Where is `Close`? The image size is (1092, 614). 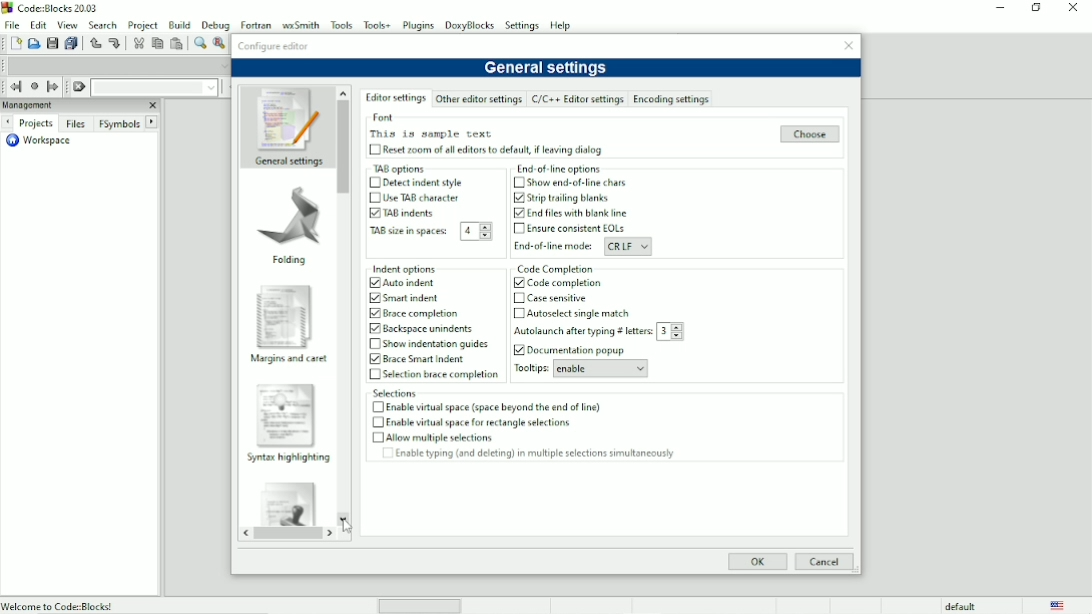 Close is located at coordinates (1073, 8).